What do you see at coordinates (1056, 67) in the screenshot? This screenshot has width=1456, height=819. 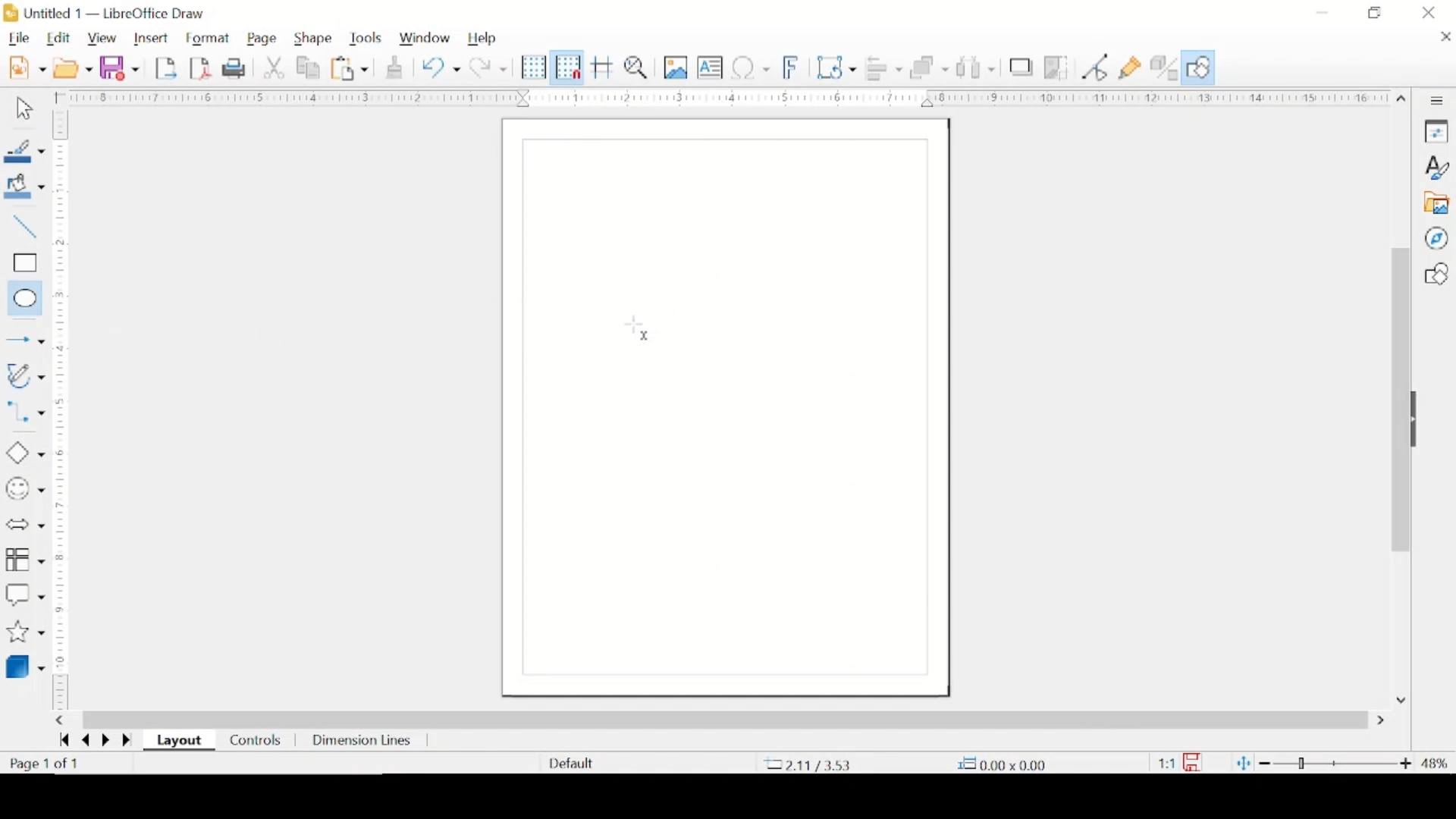 I see `crop image ` at bounding box center [1056, 67].